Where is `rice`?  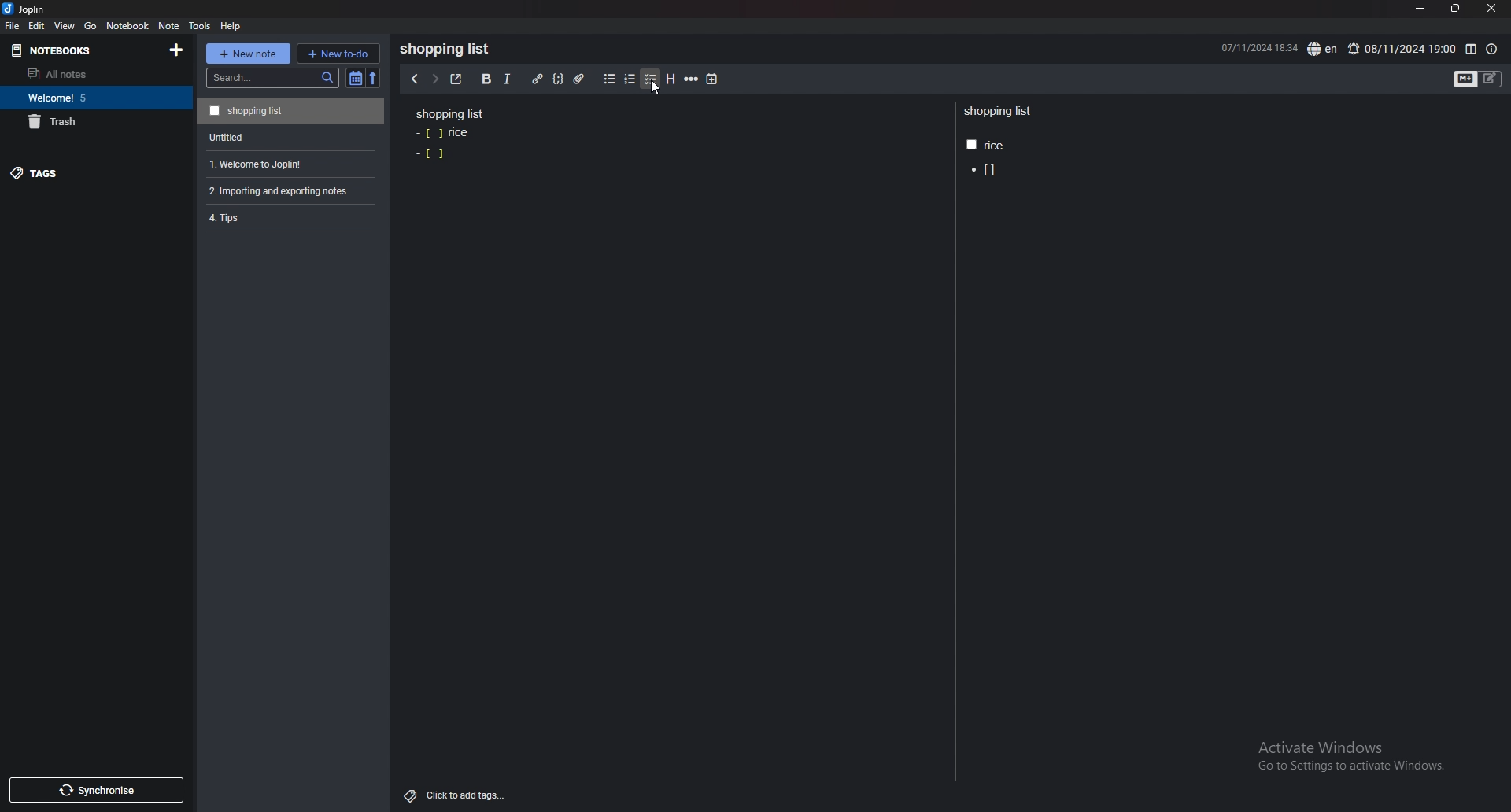 rice is located at coordinates (444, 134).